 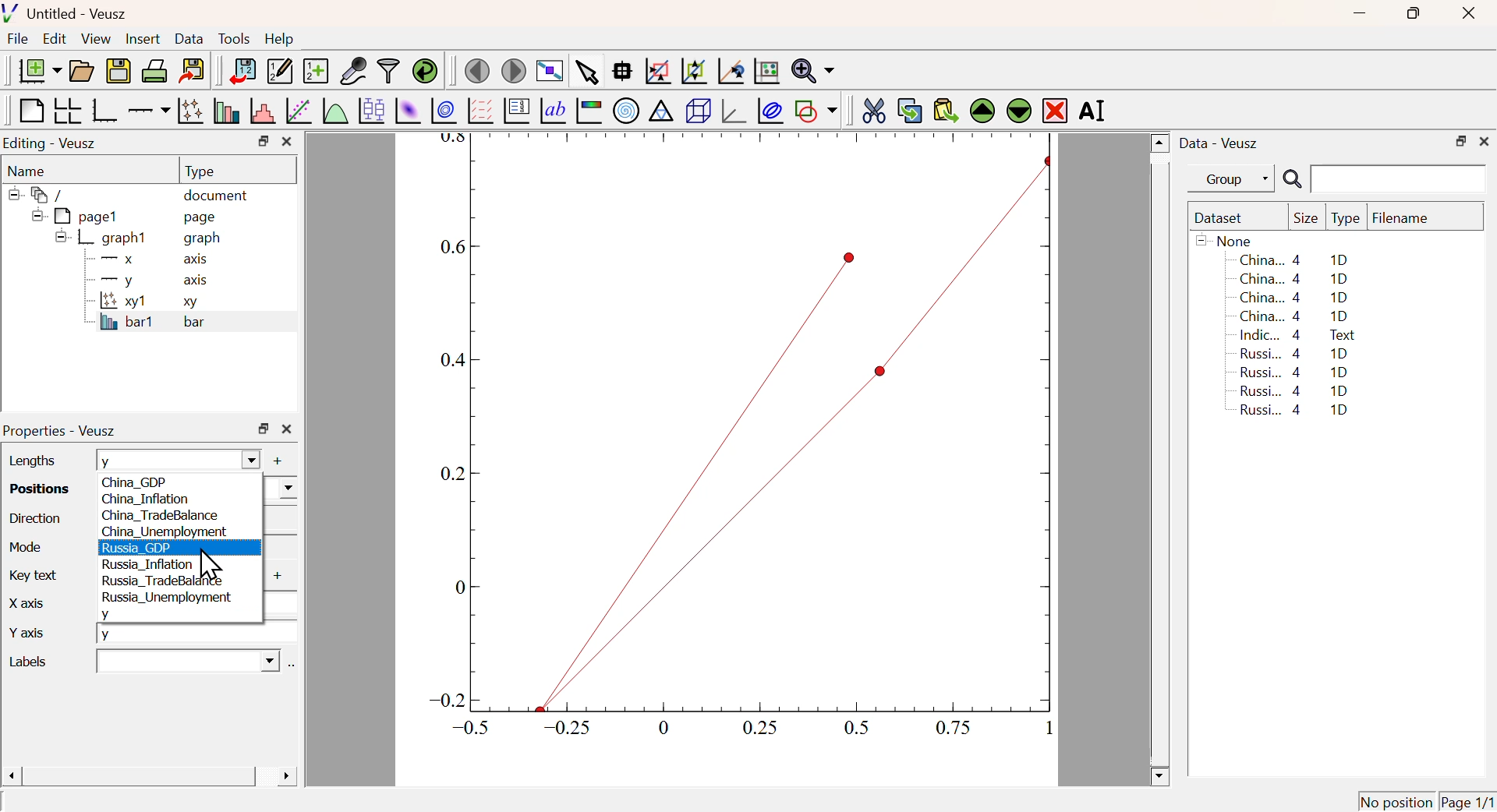 I want to click on View, so click(x=95, y=40).